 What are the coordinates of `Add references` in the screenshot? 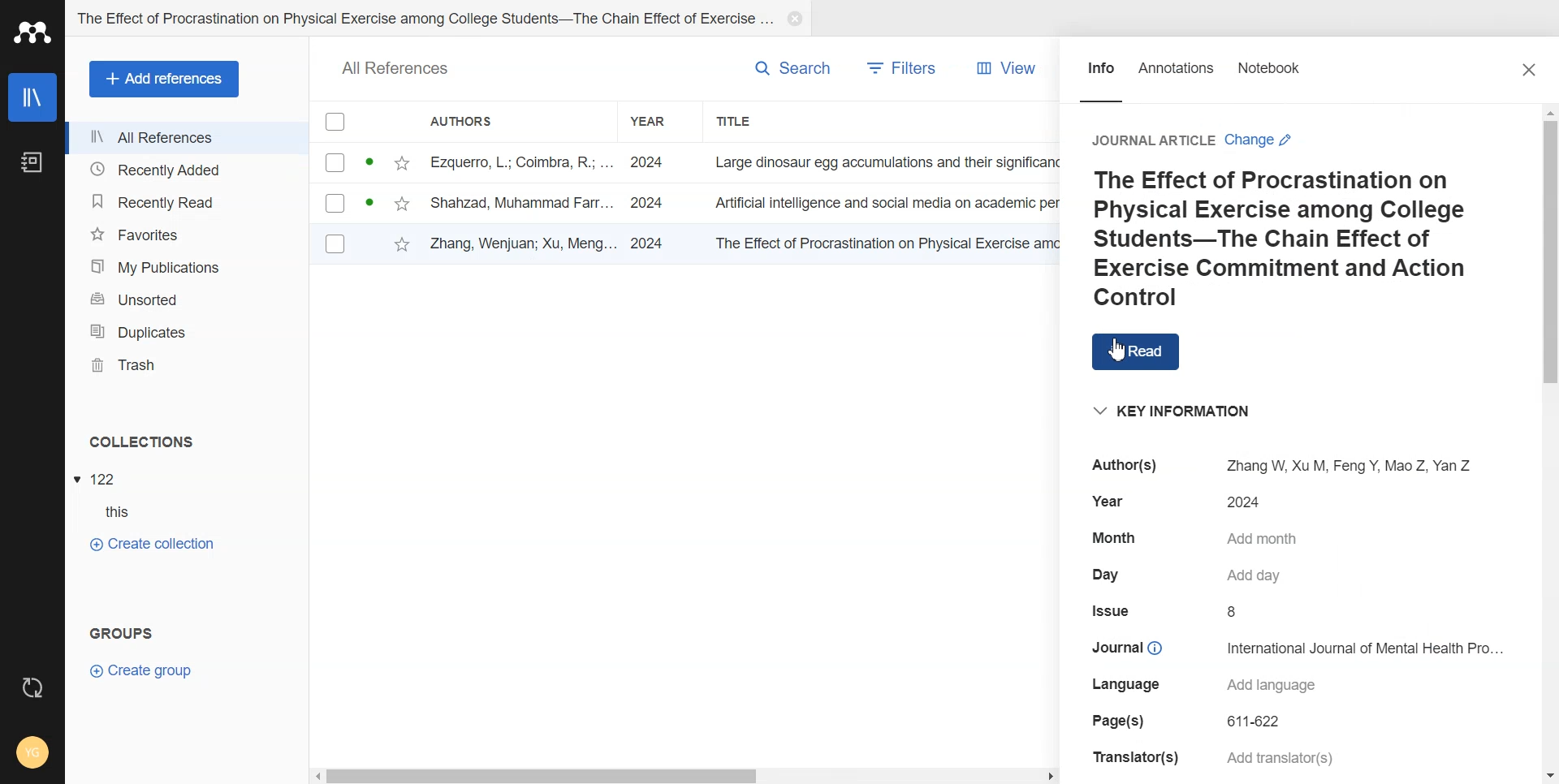 It's located at (164, 80).